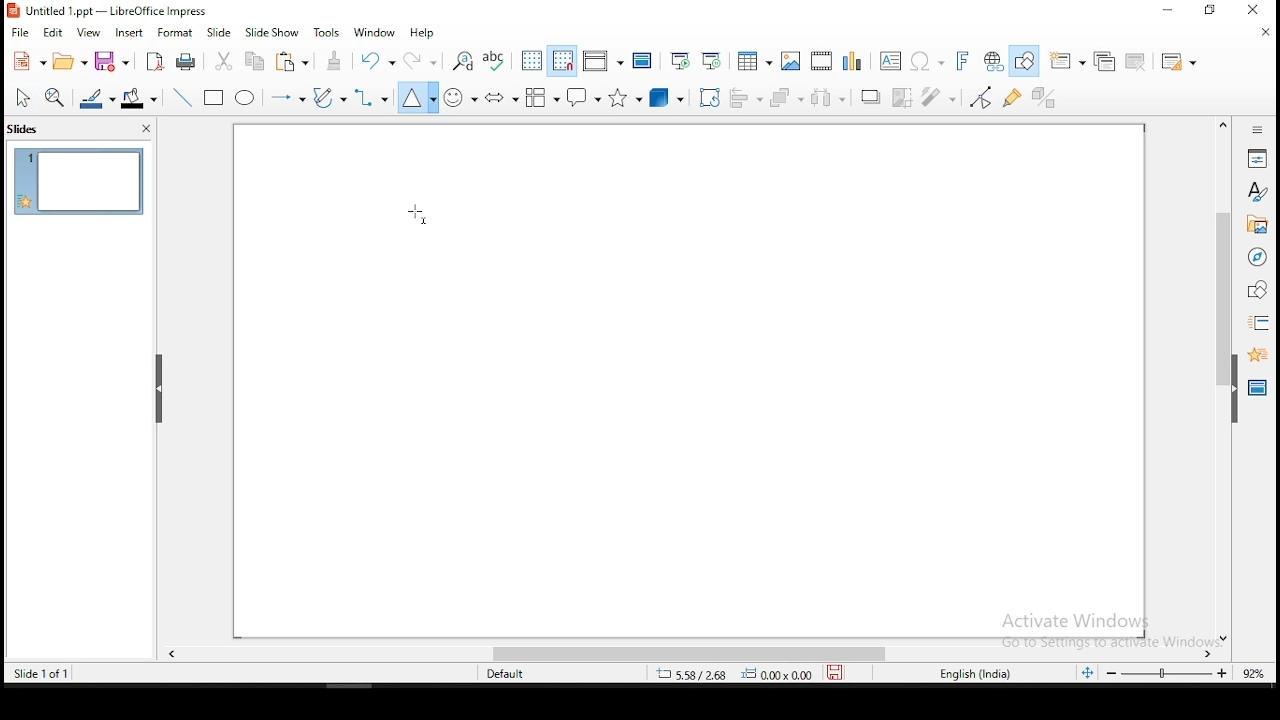 The width and height of the screenshot is (1280, 720). What do you see at coordinates (464, 60) in the screenshot?
I see `find and replace` at bounding box center [464, 60].